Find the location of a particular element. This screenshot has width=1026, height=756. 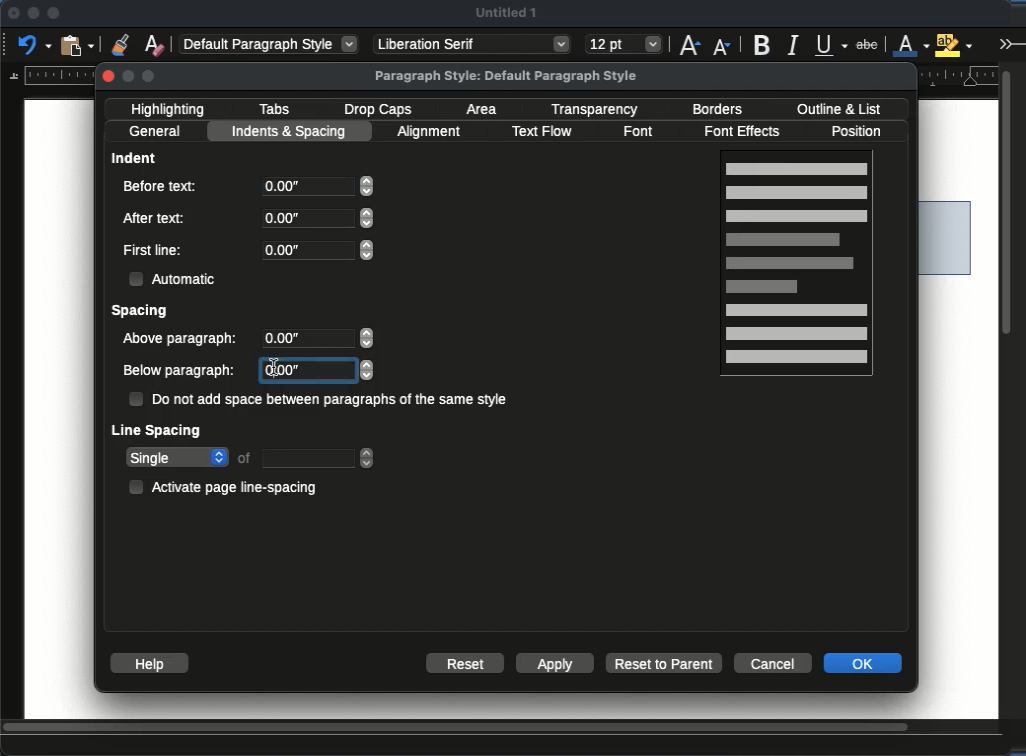

area is located at coordinates (485, 109).